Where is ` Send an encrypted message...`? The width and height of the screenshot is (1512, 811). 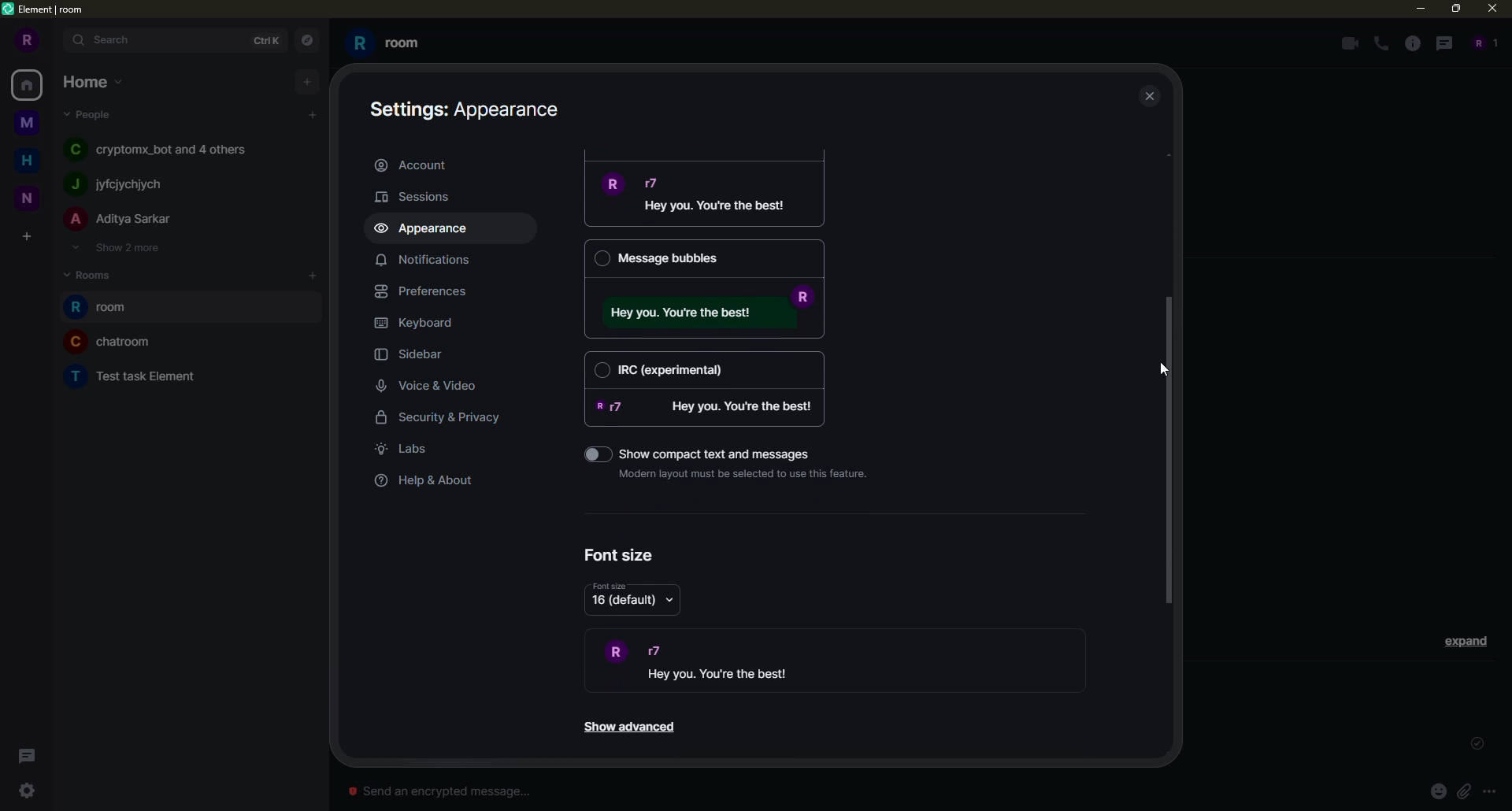  Send an encrypted message... is located at coordinates (439, 791).